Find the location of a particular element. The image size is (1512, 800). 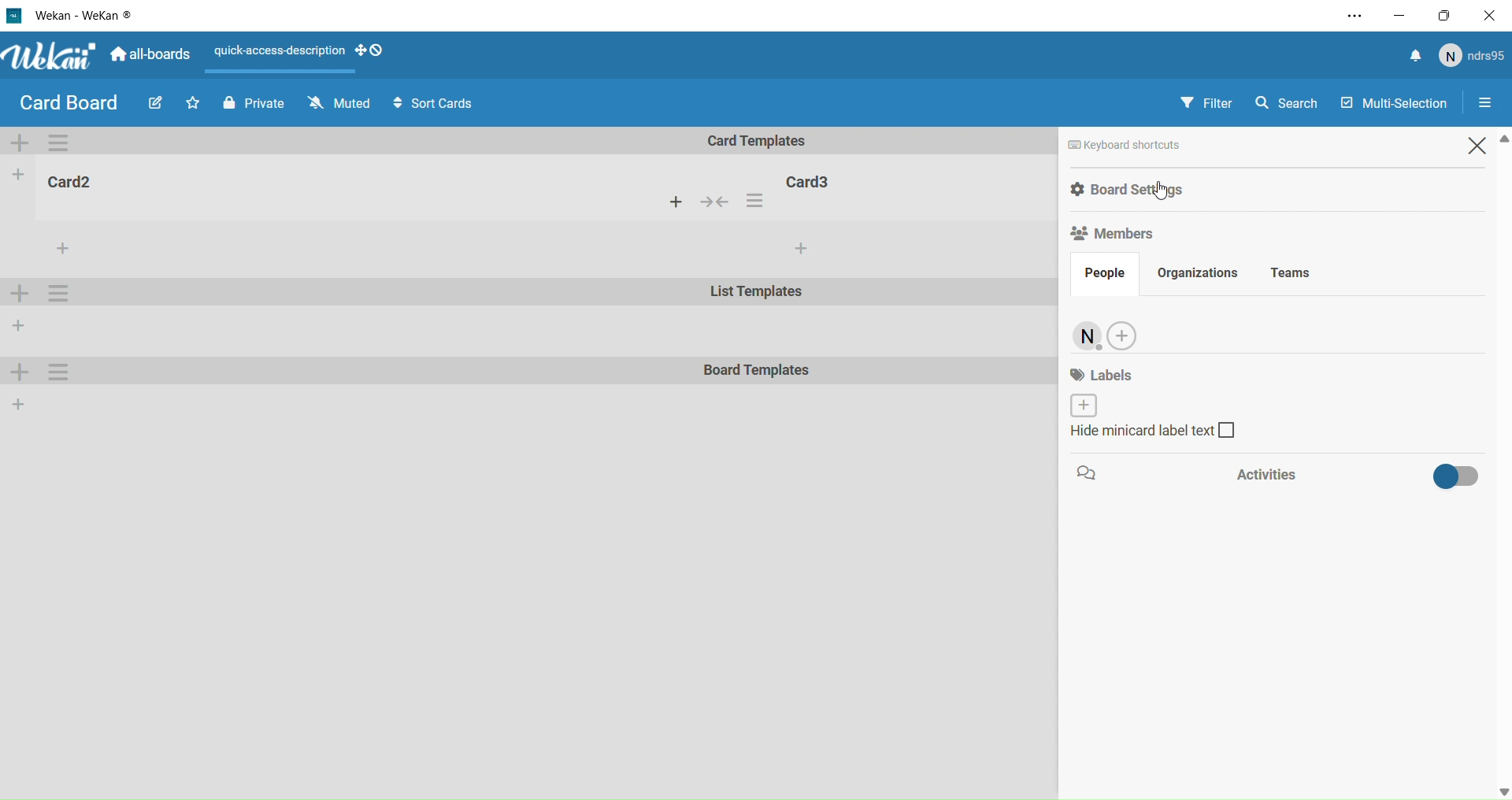

Board settings is located at coordinates (1188, 188).